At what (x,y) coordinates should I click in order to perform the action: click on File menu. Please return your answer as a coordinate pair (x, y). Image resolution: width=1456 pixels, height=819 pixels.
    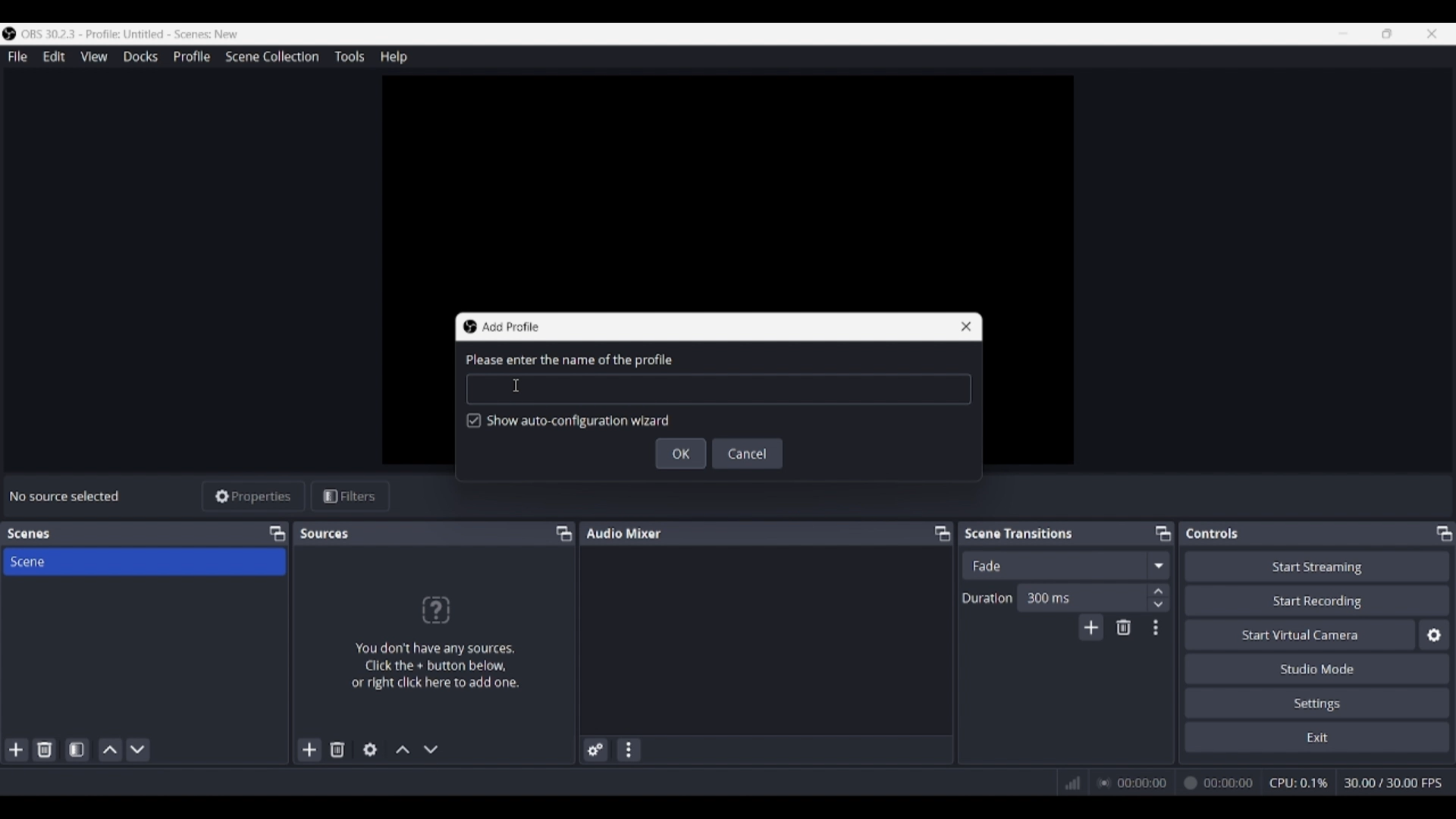
    Looking at the image, I should click on (17, 56).